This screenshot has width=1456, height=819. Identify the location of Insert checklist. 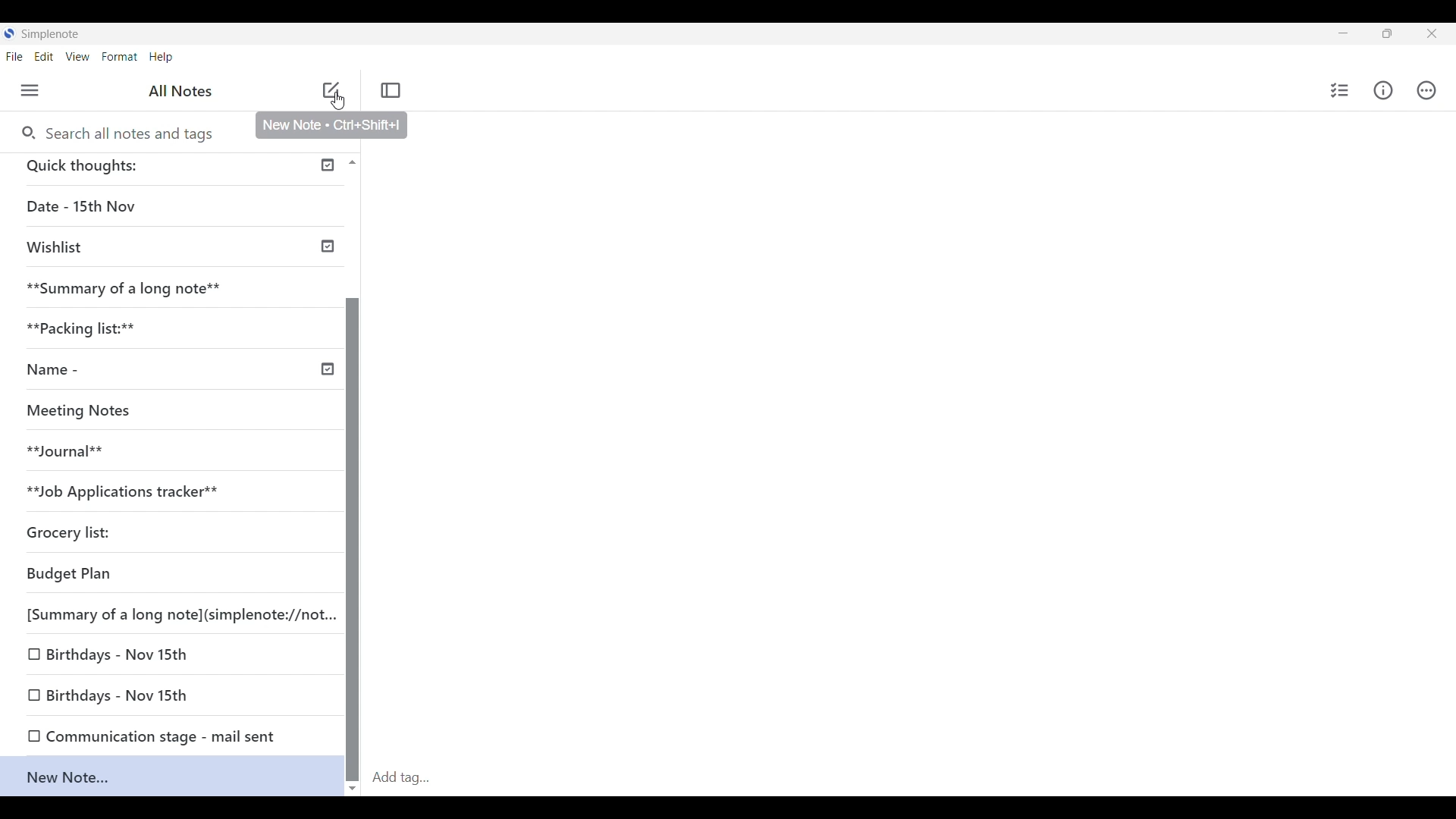
(1340, 90).